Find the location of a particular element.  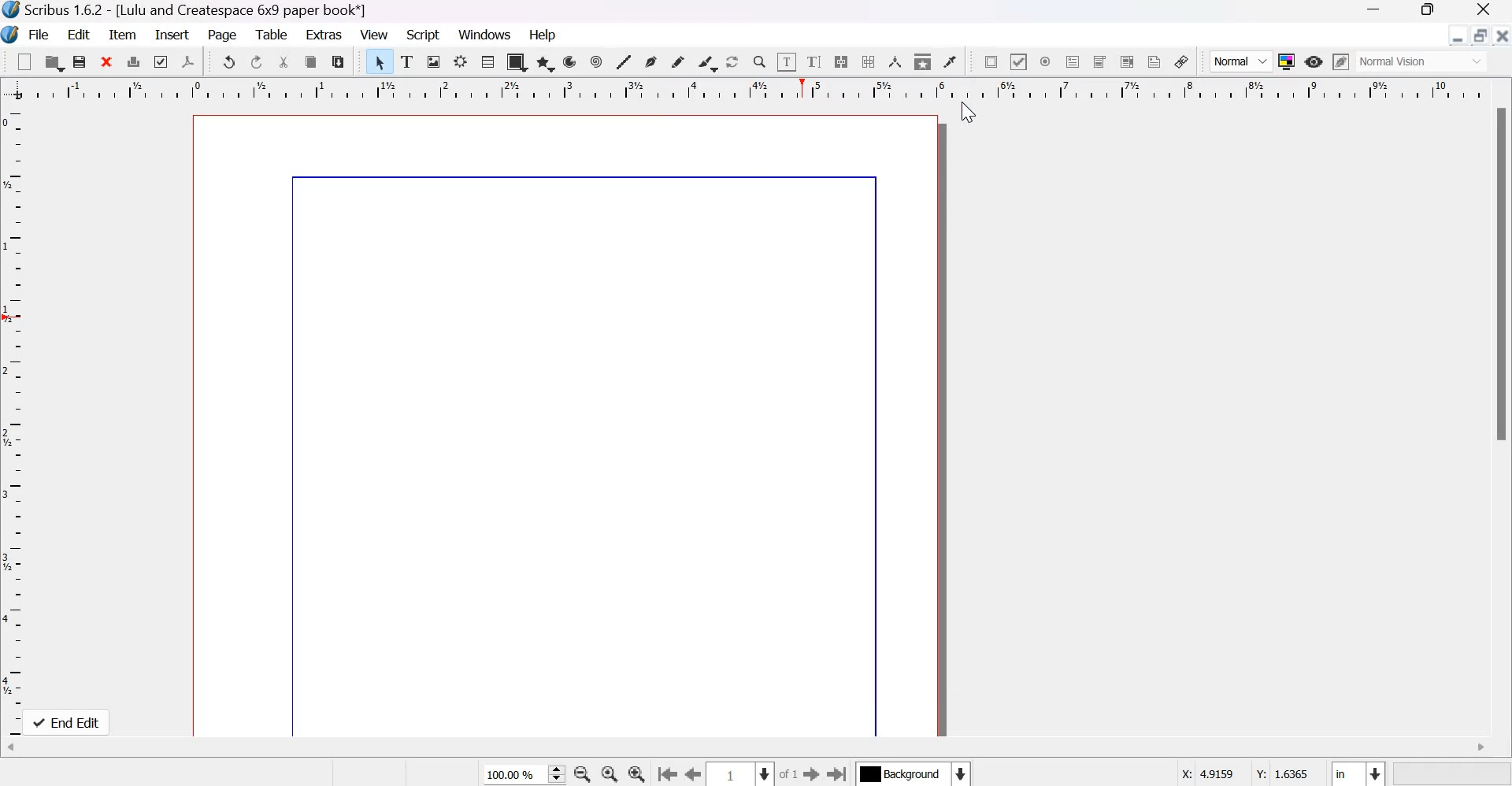

Minimize is located at coordinates (1457, 36).